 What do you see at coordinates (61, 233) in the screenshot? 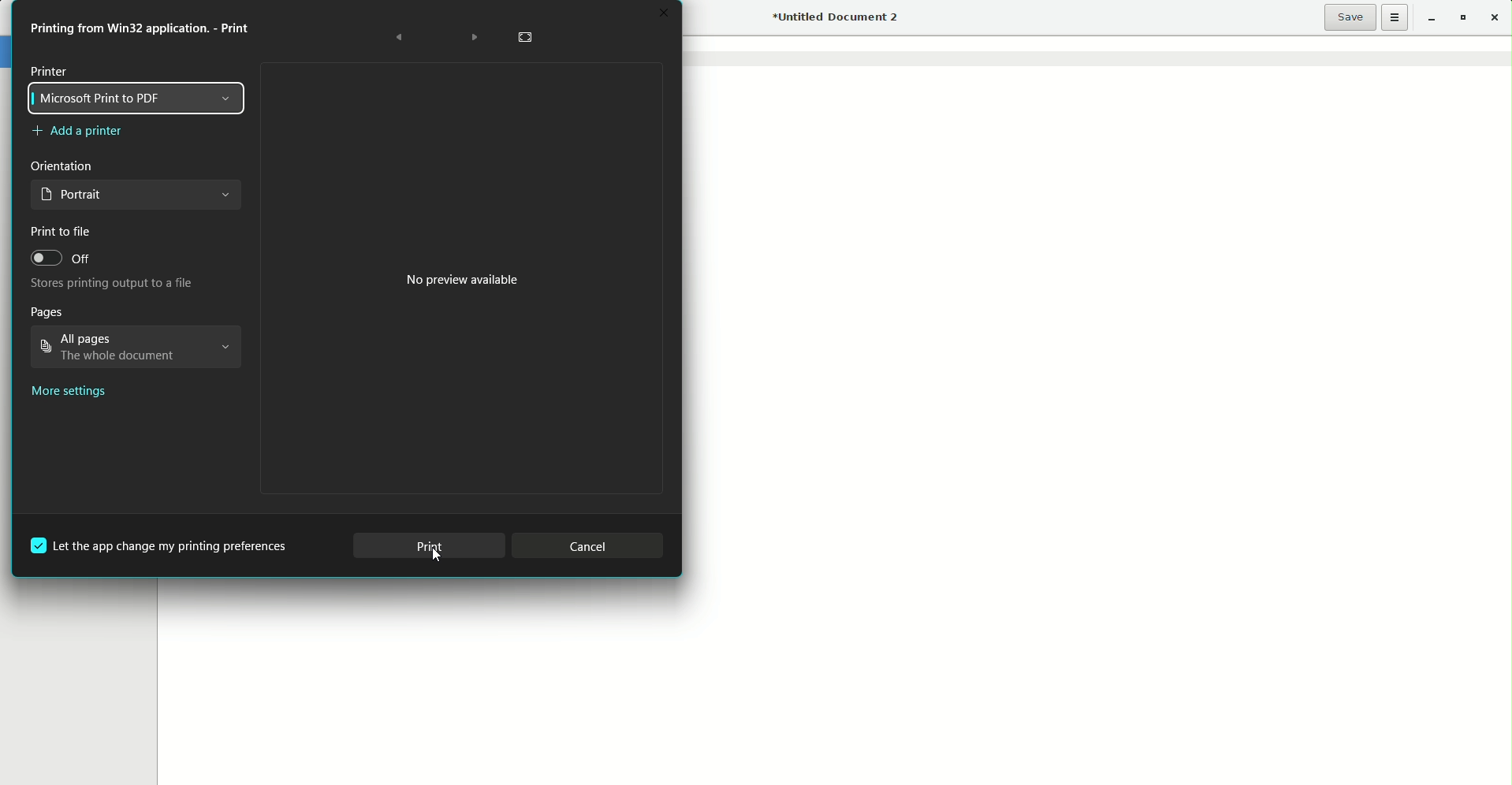
I see `Print to file` at bounding box center [61, 233].